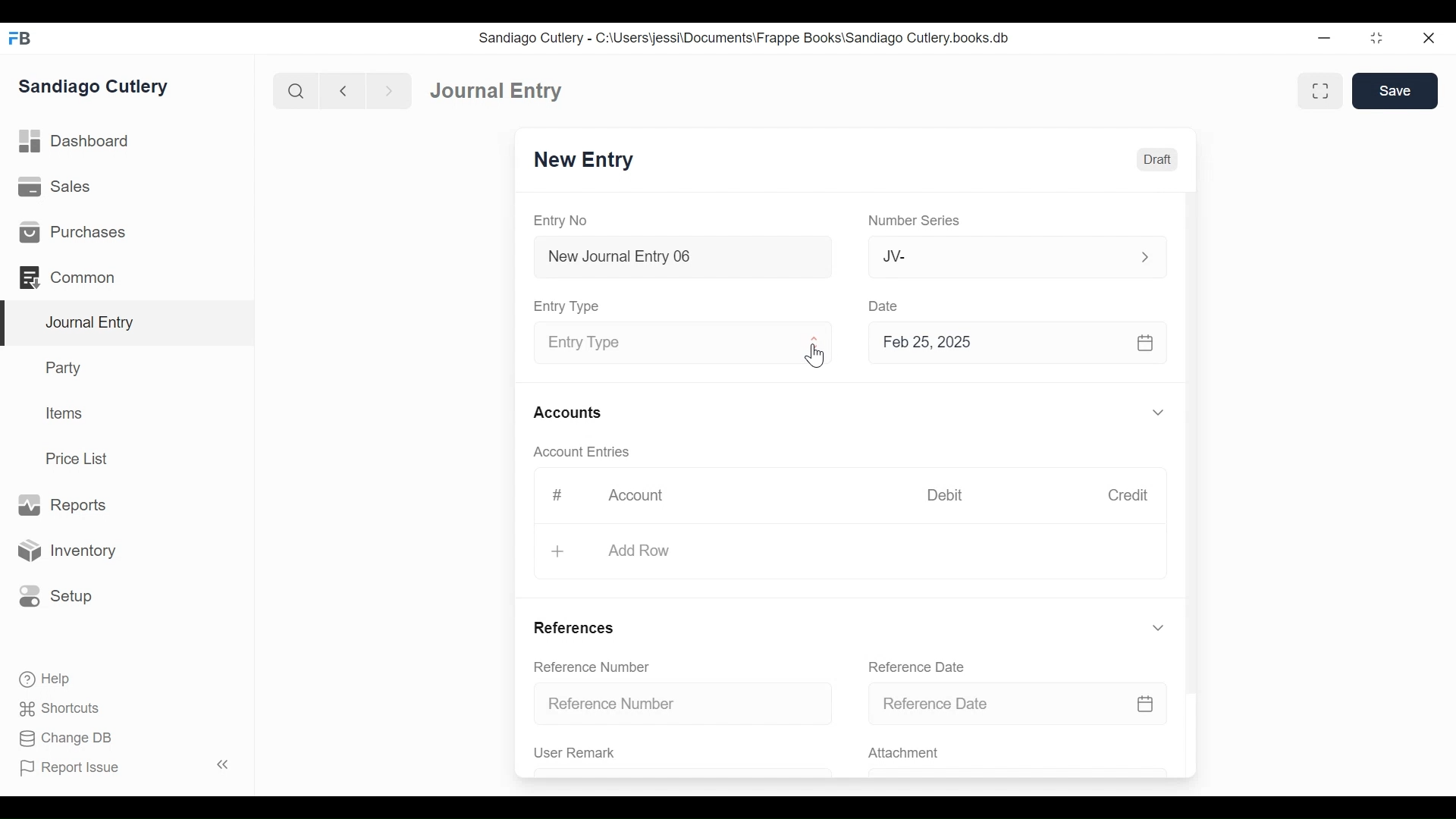 The image size is (1456, 819). What do you see at coordinates (76, 142) in the screenshot?
I see `Dashboard` at bounding box center [76, 142].